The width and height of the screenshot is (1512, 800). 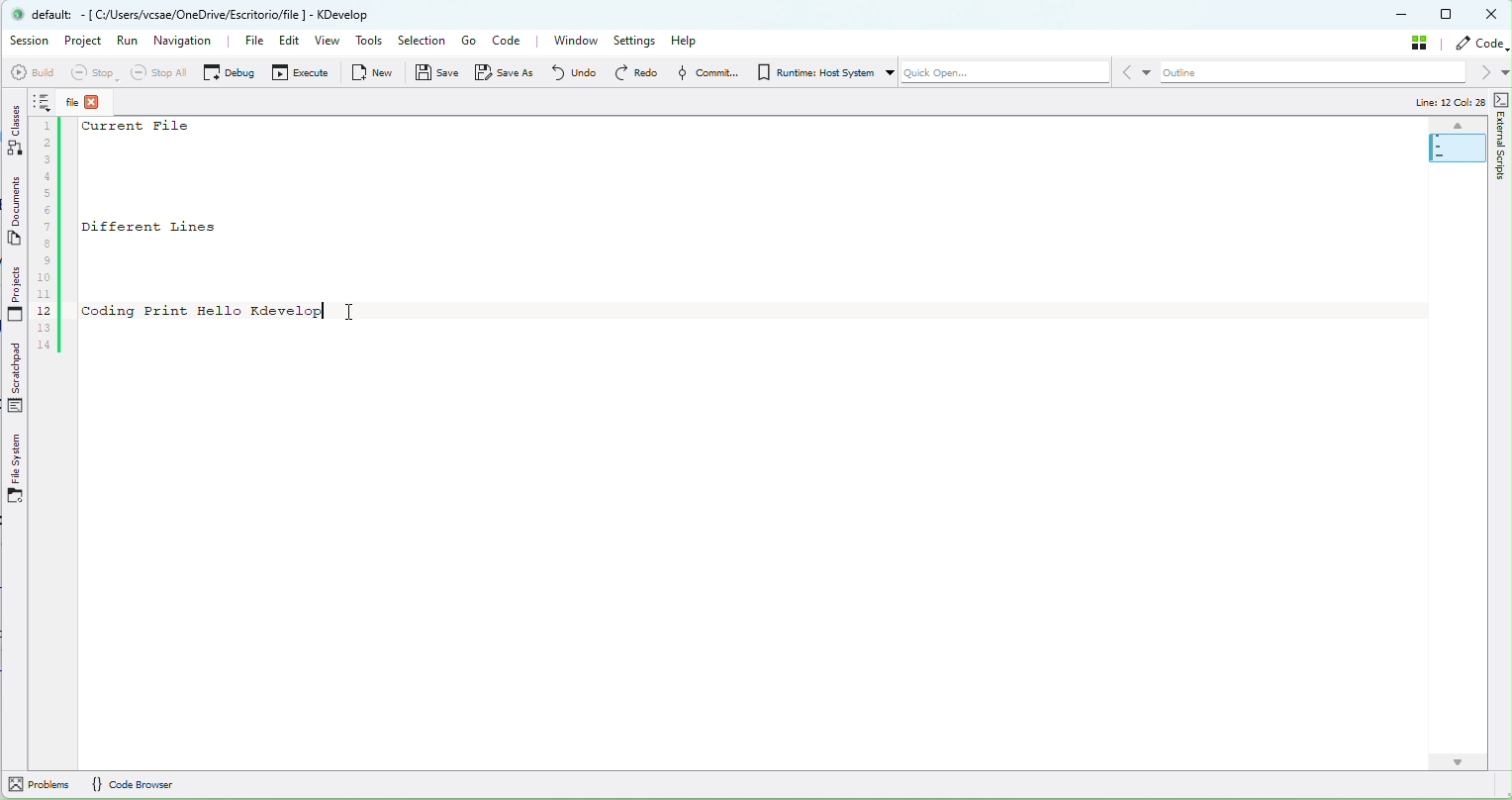 I want to click on Window, so click(x=575, y=41).